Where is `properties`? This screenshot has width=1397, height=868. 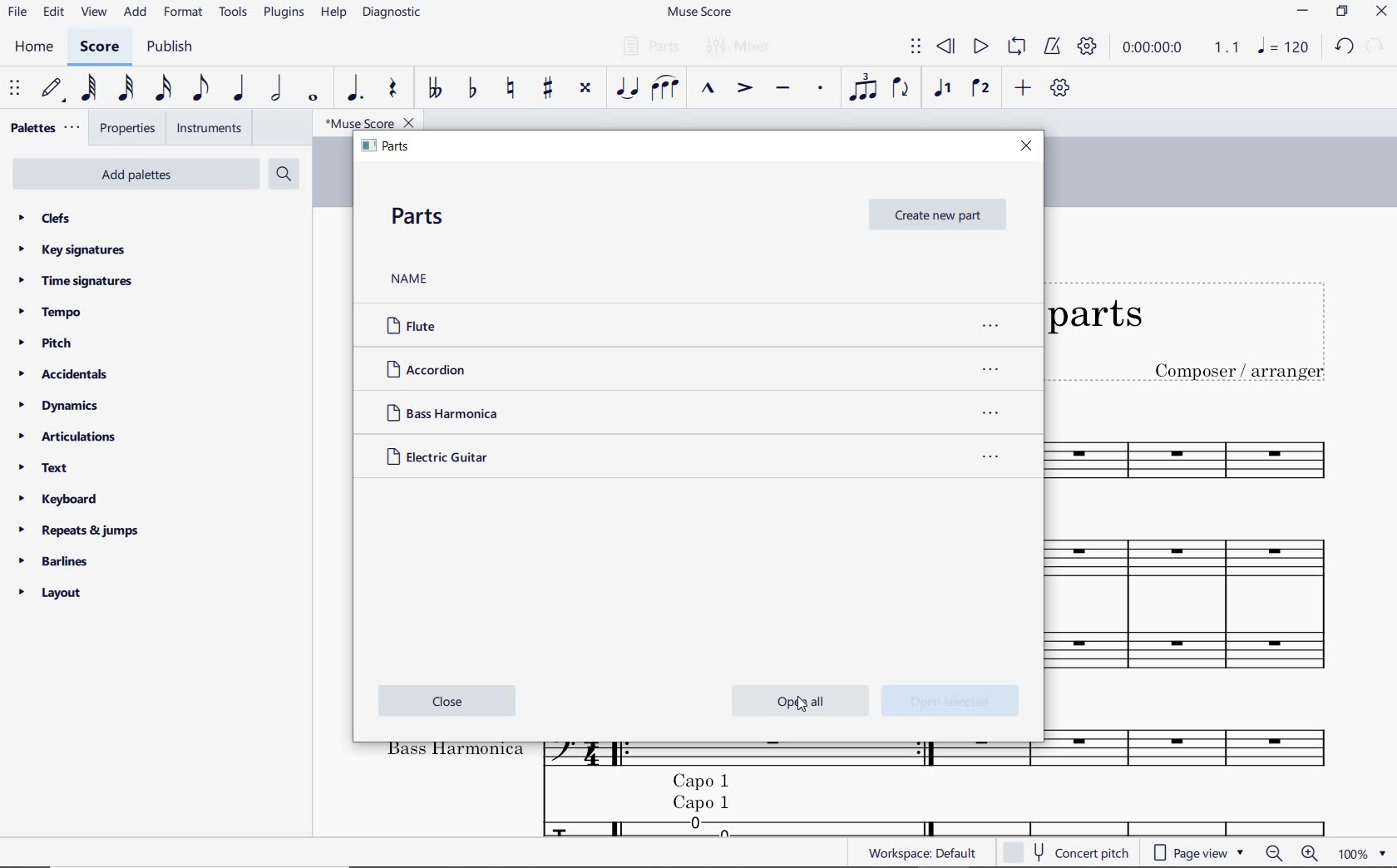 properties is located at coordinates (130, 129).